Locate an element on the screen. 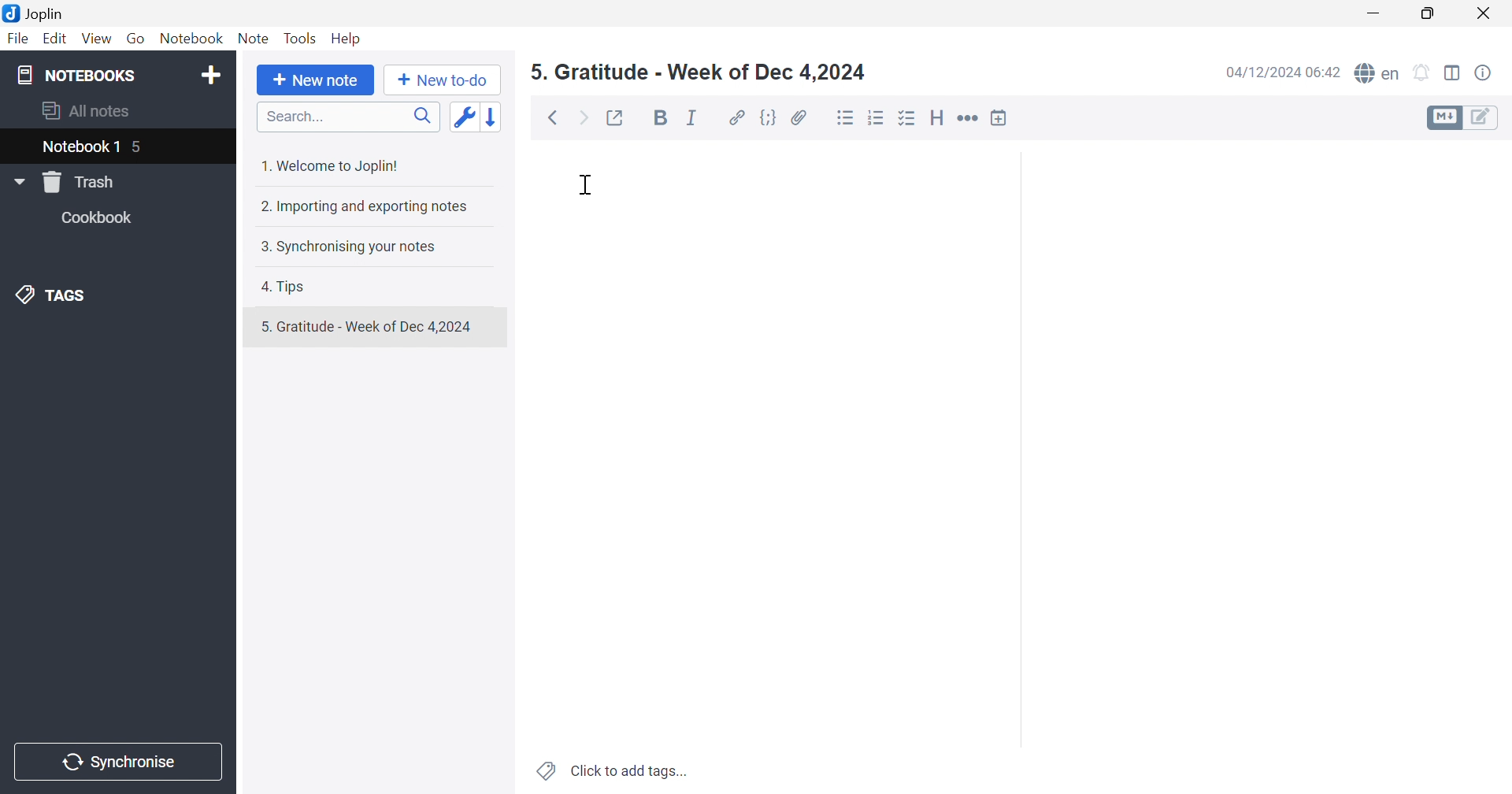 This screenshot has width=1512, height=794. New to-do is located at coordinates (443, 80).